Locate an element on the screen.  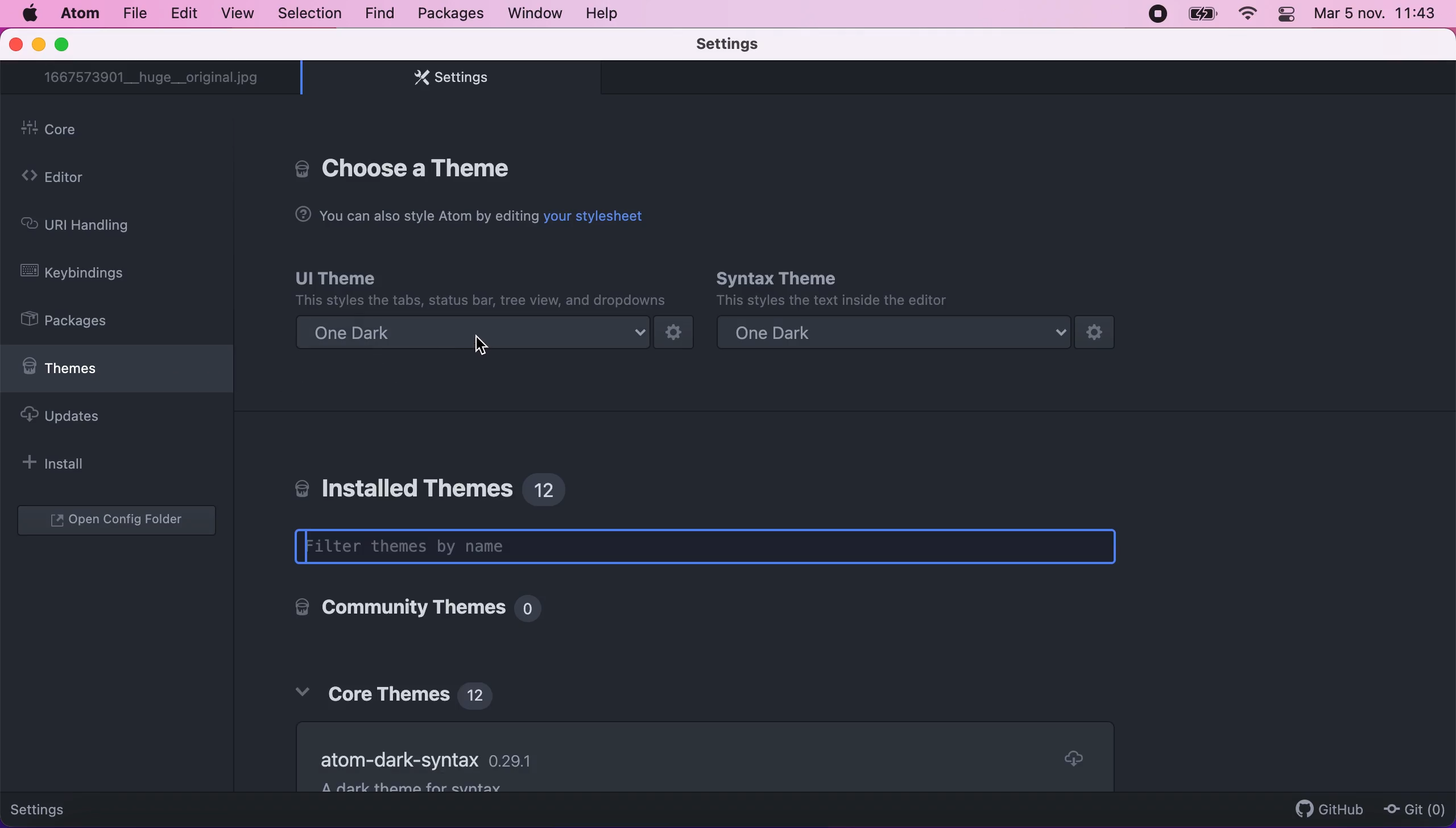
selection is located at coordinates (308, 14).